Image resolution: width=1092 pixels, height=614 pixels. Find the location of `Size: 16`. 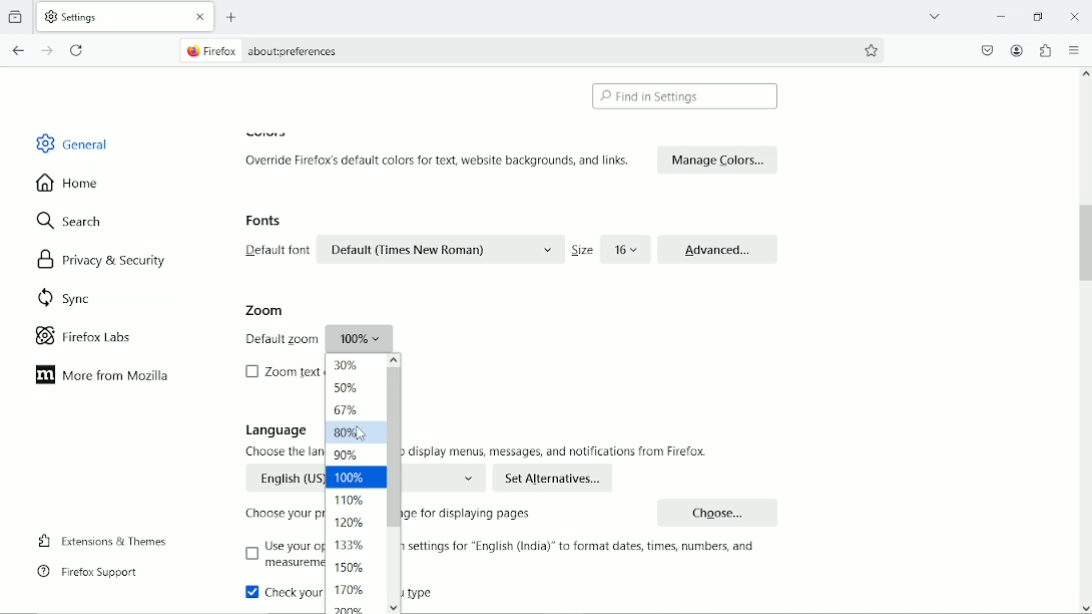

Size: 16 is located at coordinates (608, 250).